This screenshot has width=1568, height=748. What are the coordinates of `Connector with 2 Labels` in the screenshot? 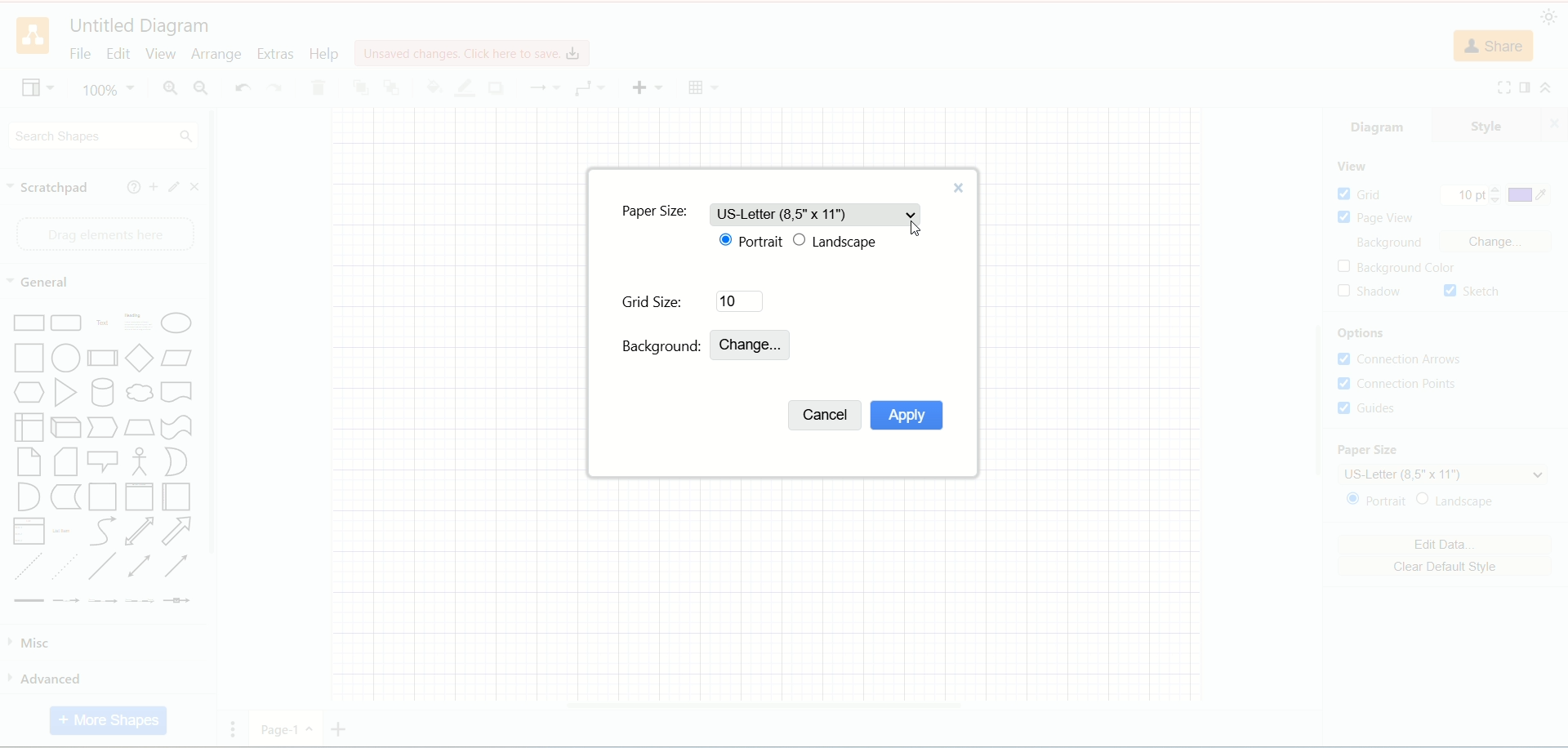 It's located at (104, 602).